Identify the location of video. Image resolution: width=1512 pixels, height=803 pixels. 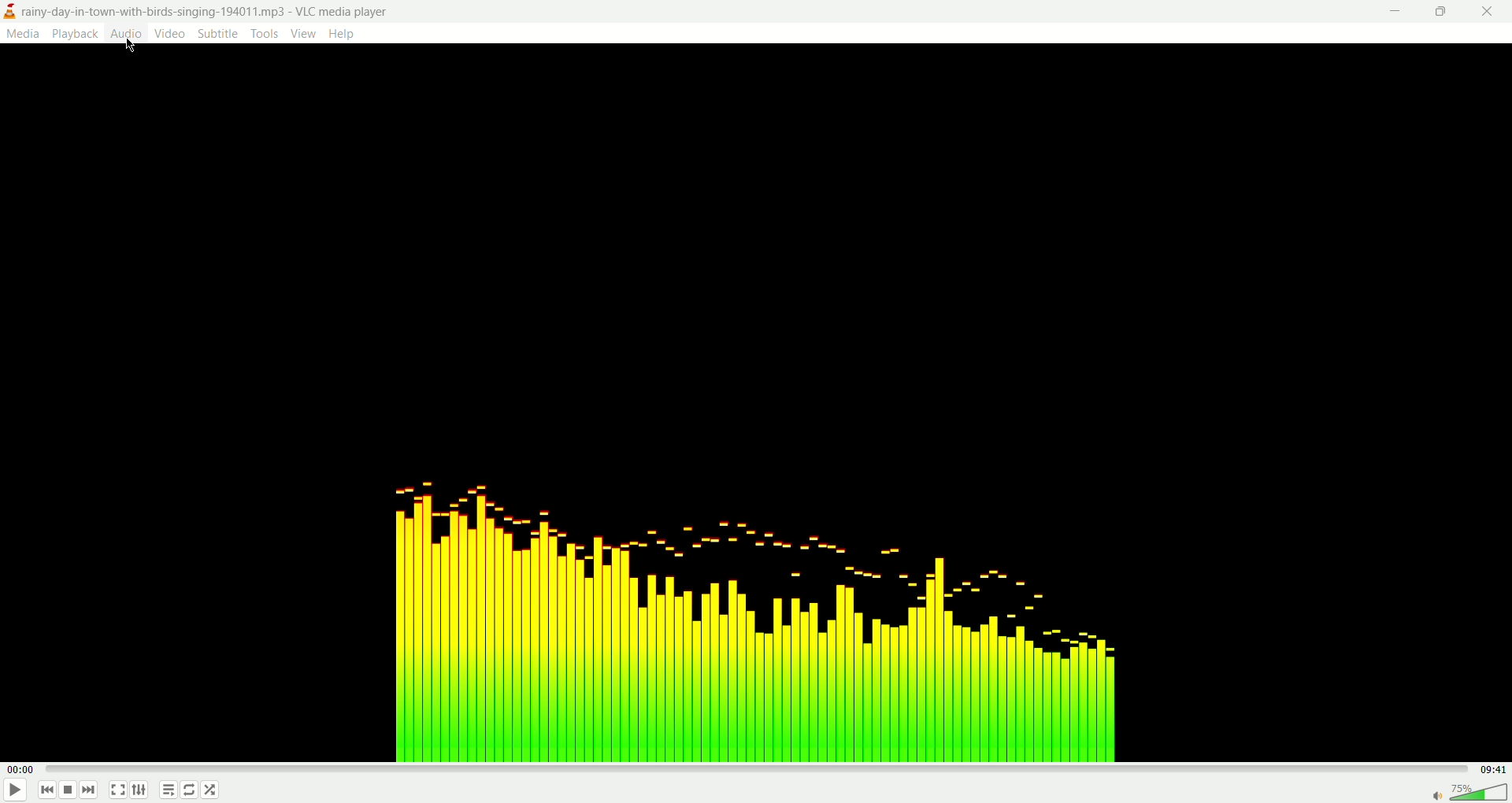
(170, 32).